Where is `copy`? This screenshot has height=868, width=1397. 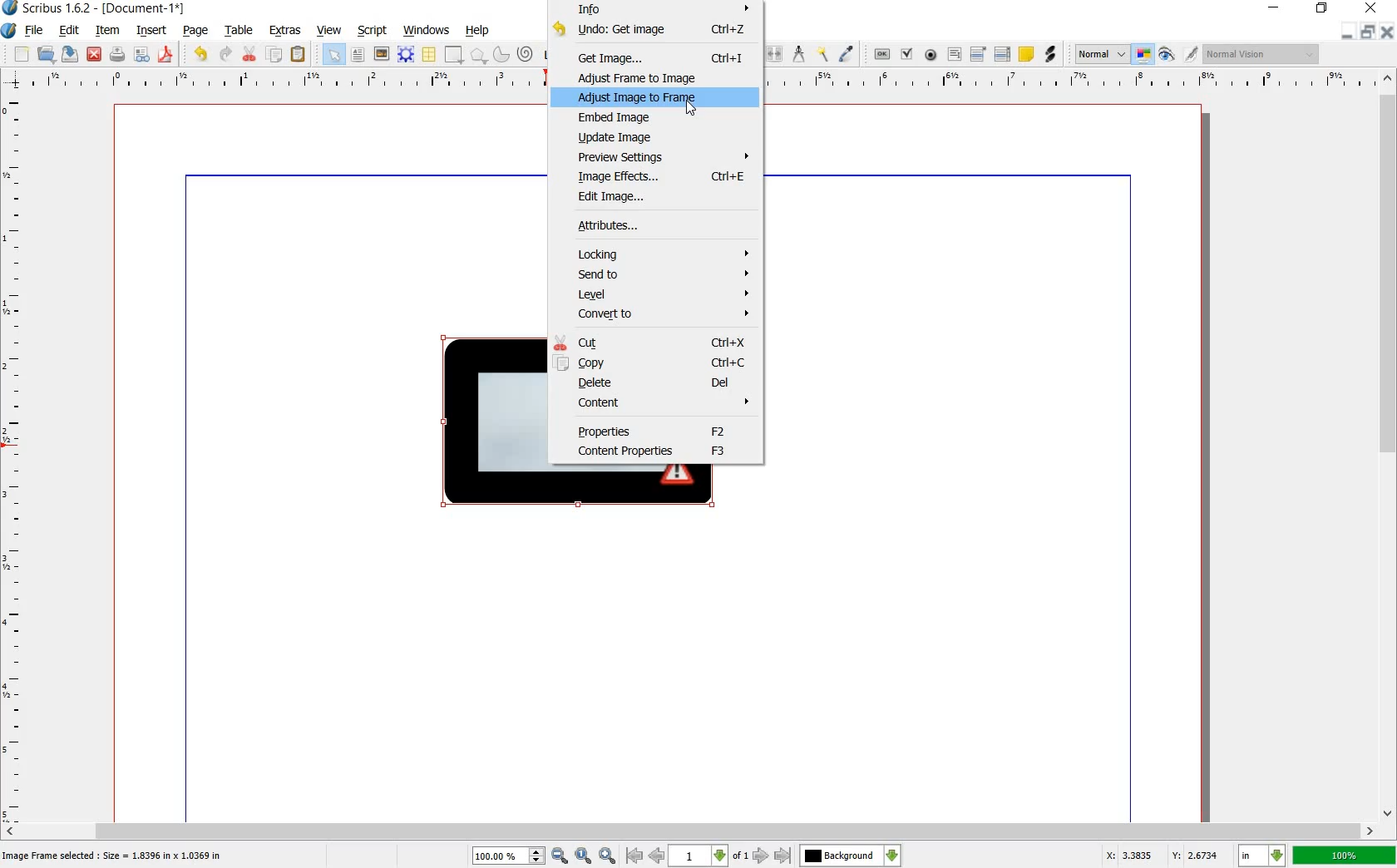
copy is located at coordinates (649, 363).